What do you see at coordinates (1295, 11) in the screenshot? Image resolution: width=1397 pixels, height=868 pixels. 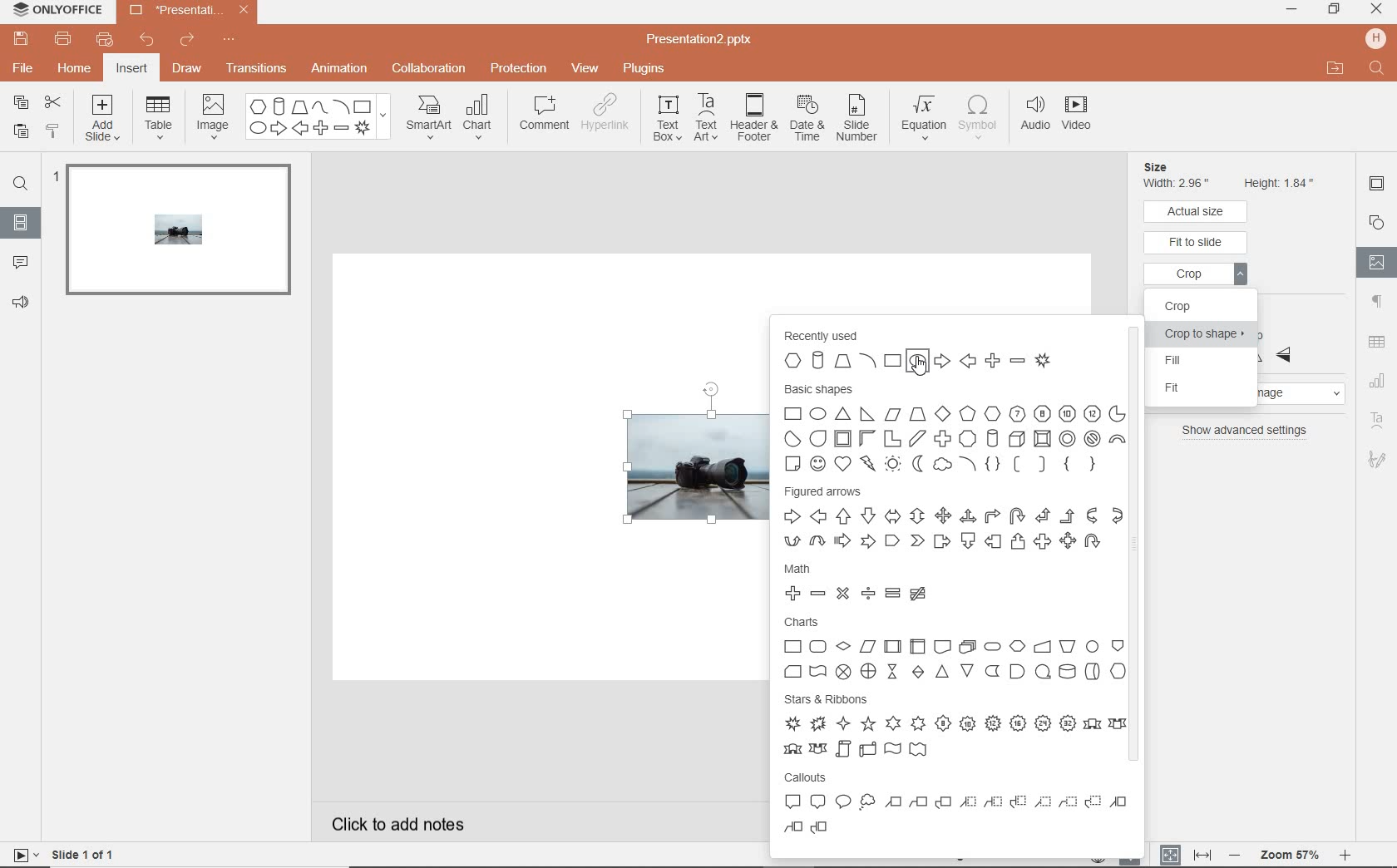 I see `minimize` at bounding box center [1295, 11].